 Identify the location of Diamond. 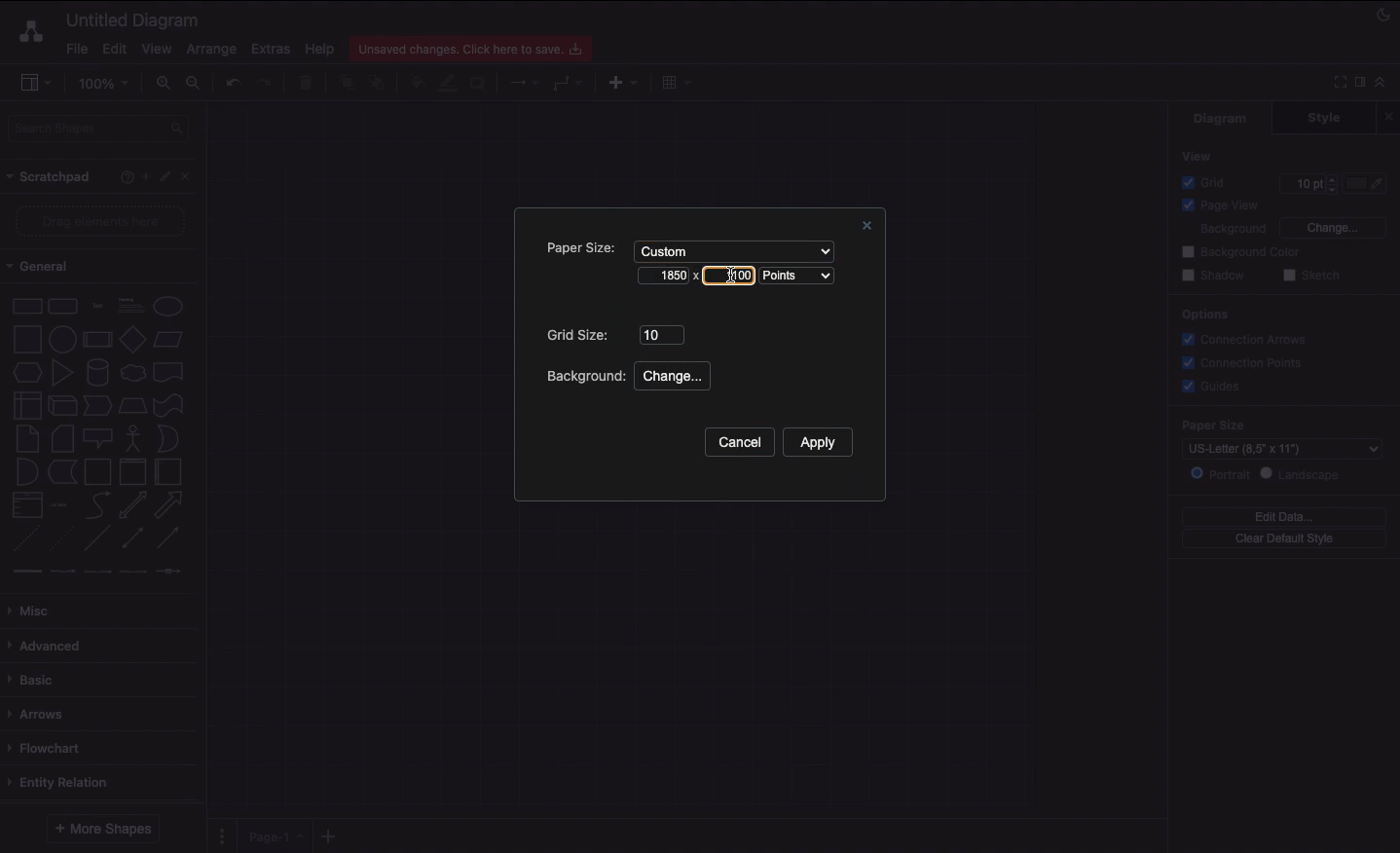
(132, 340).